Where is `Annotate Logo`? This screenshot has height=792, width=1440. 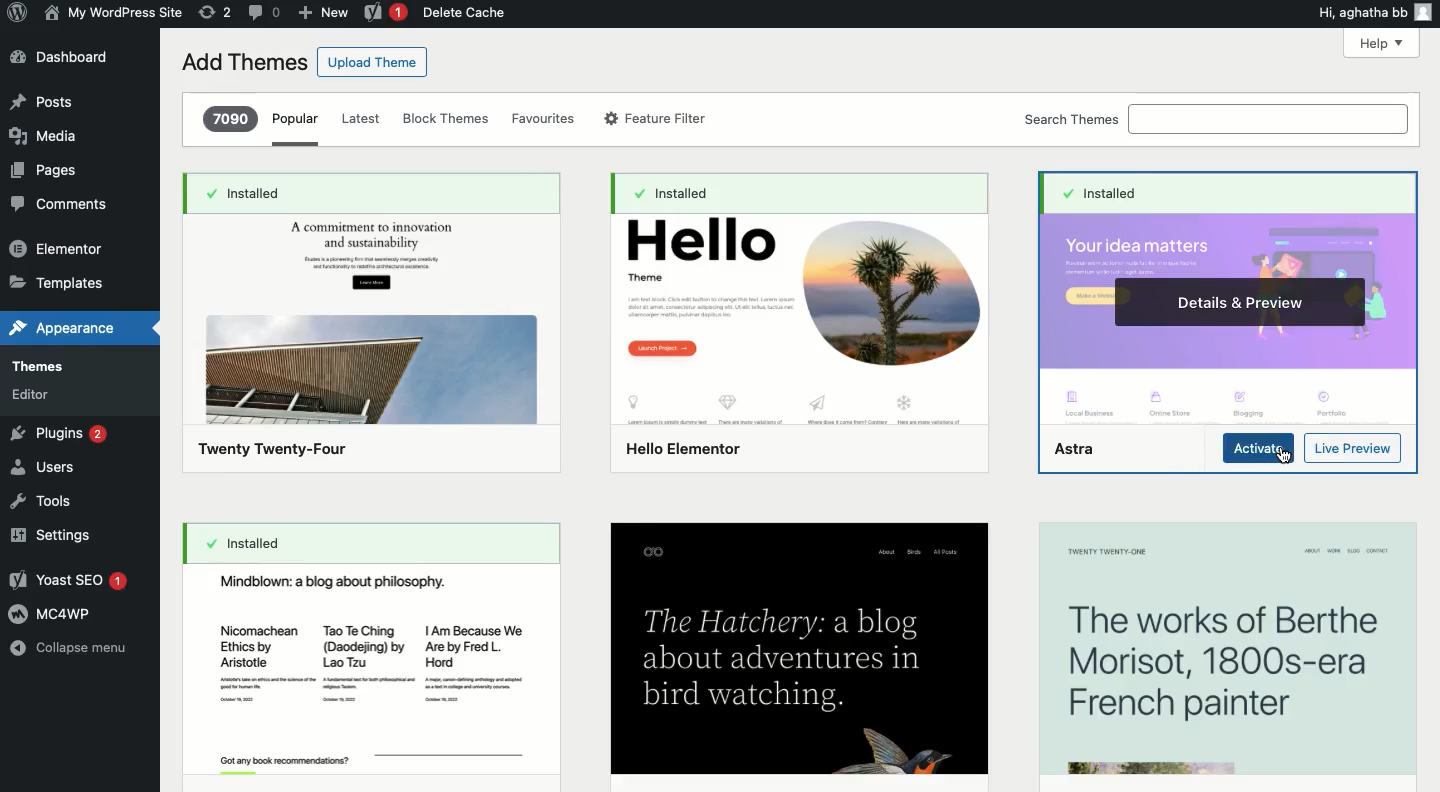 Annotate Logo is located at coordinates (17, 14).